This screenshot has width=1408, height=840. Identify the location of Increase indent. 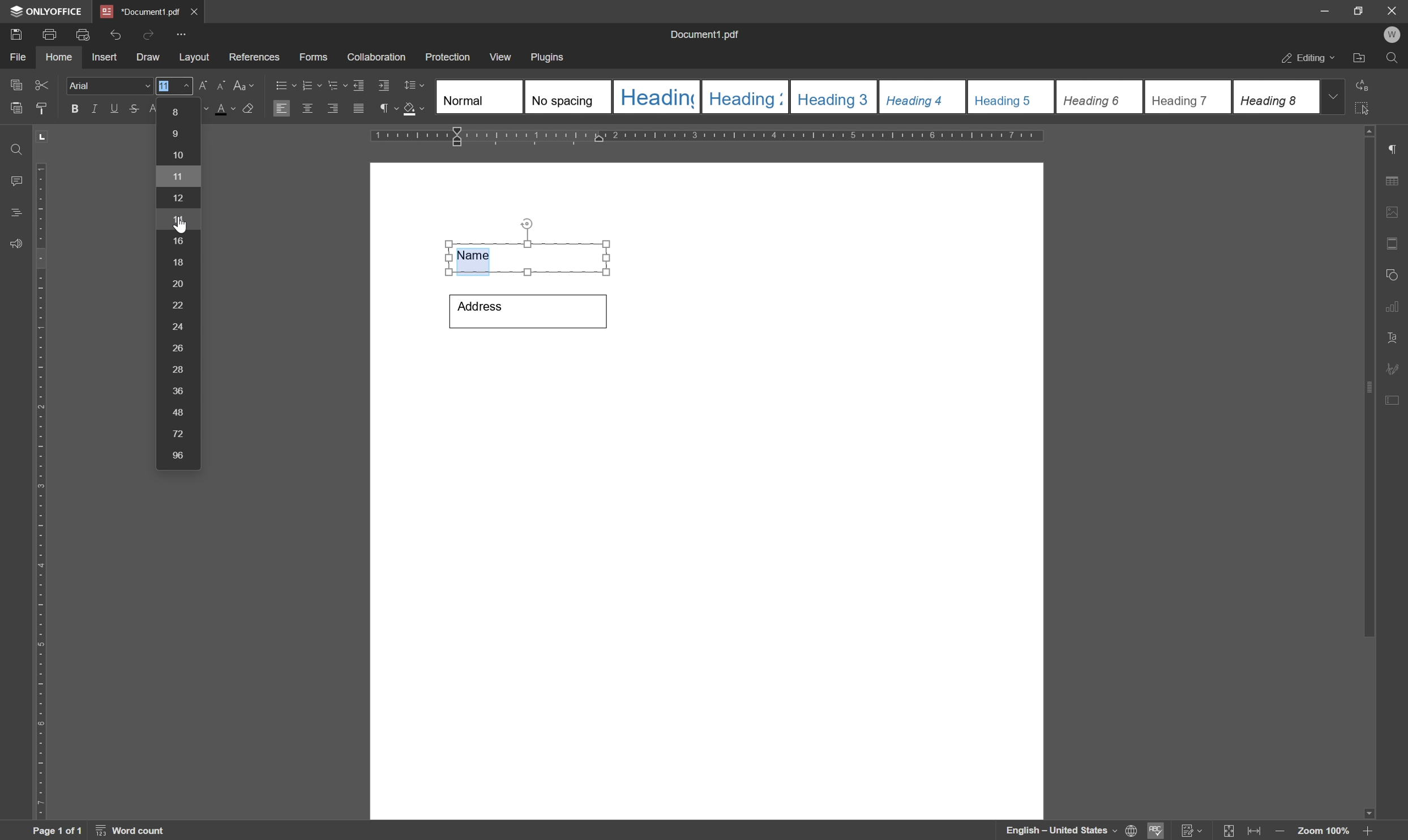
(386, 87).